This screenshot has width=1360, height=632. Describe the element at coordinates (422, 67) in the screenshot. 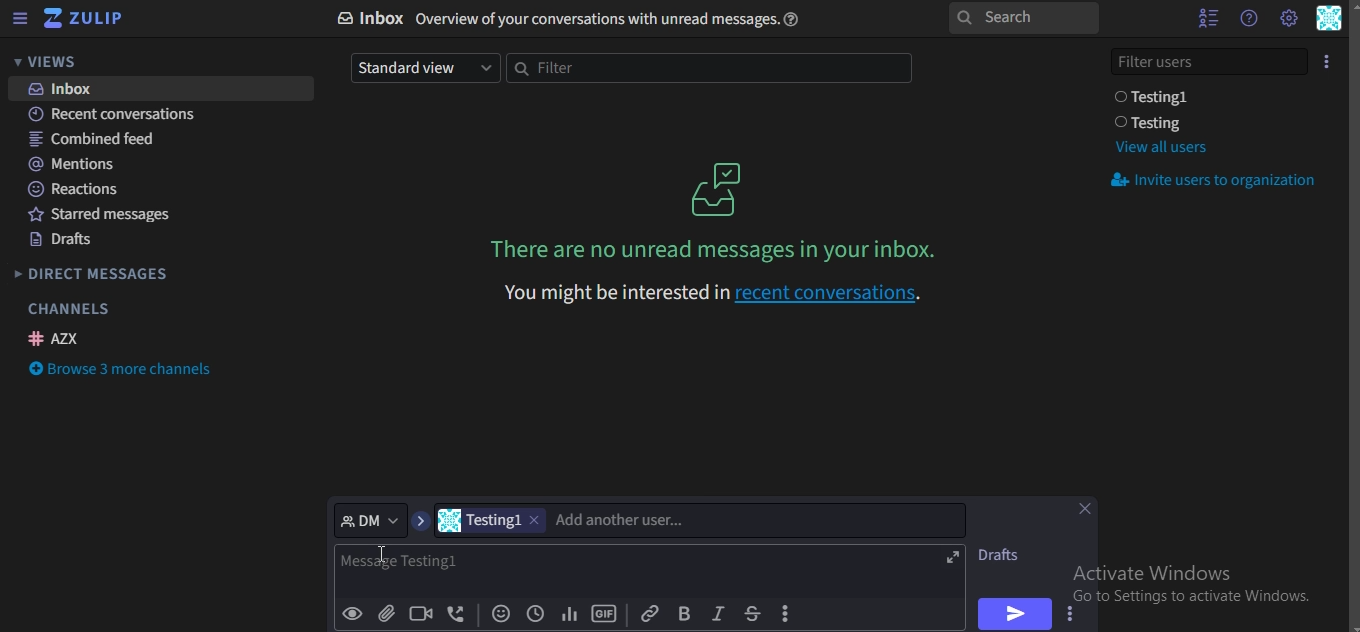

I see `standard view` at that location.